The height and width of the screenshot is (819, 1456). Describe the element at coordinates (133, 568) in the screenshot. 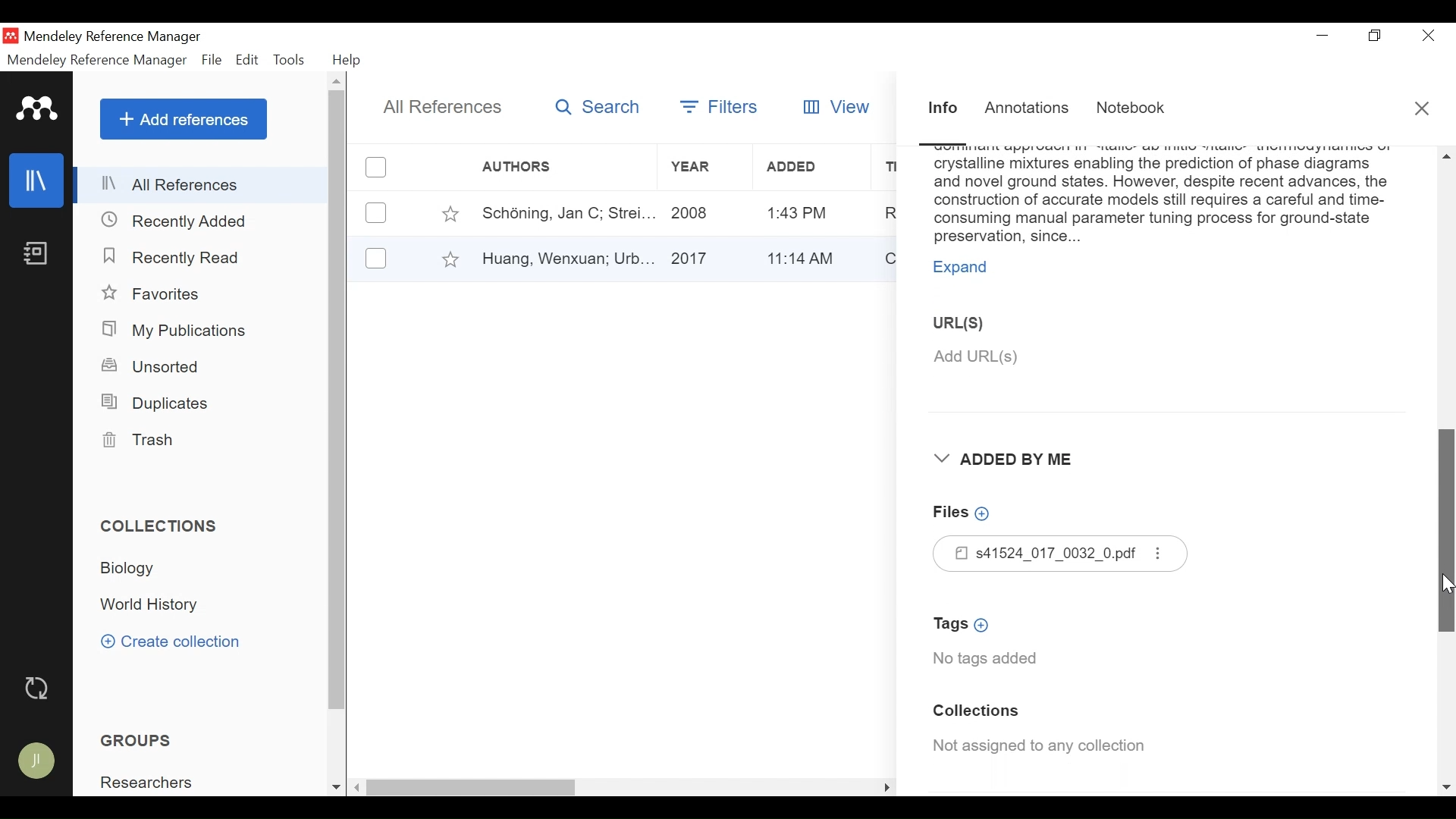

I see `Collection` at that location.